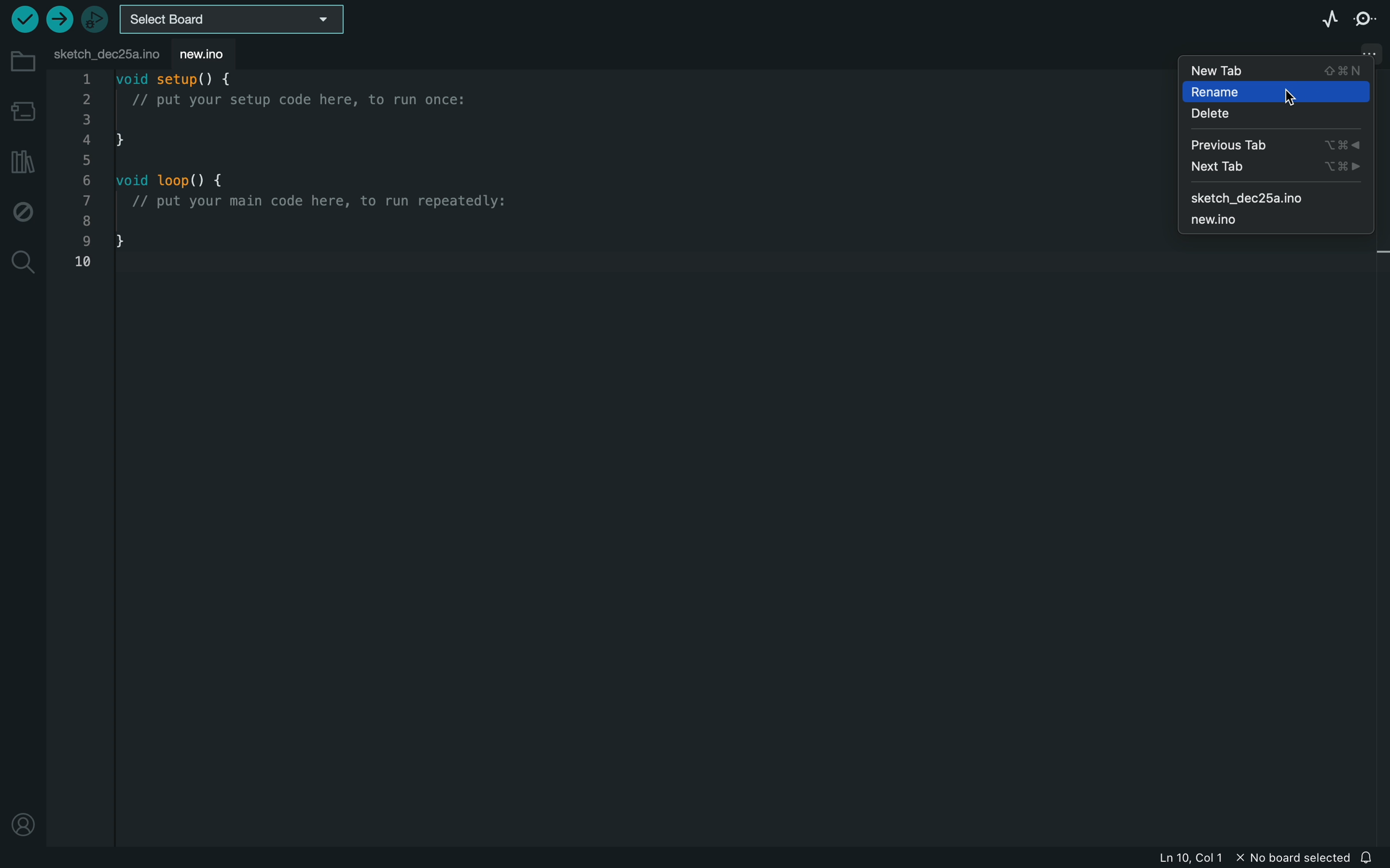 This screenshot has height=868, width=1390. I want to click on board selecter, so click(237, 19).